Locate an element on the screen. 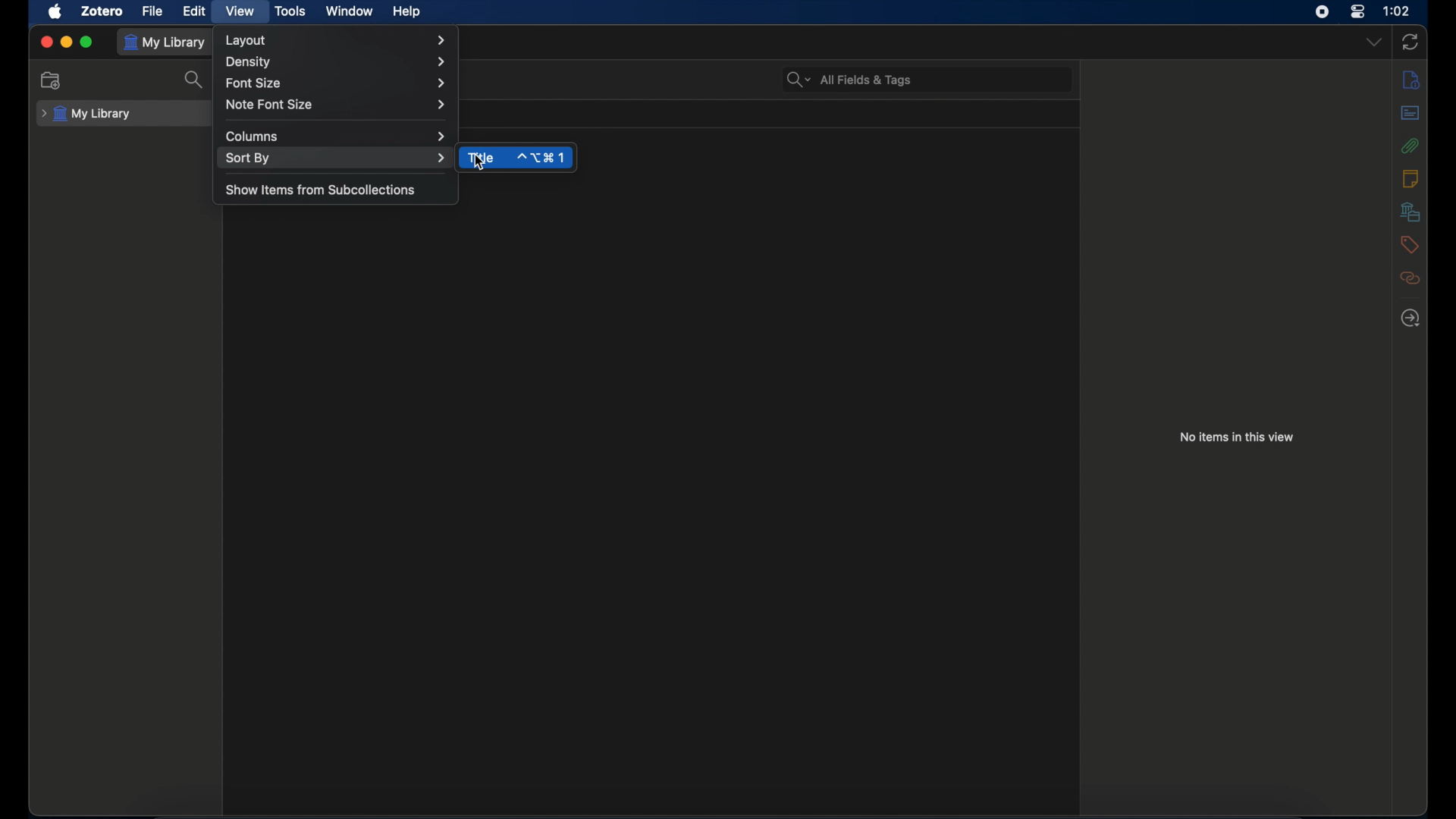 Image resolution: width=1456 pixels, height=819 pixels. sync is located at coordinates (1411, 42).